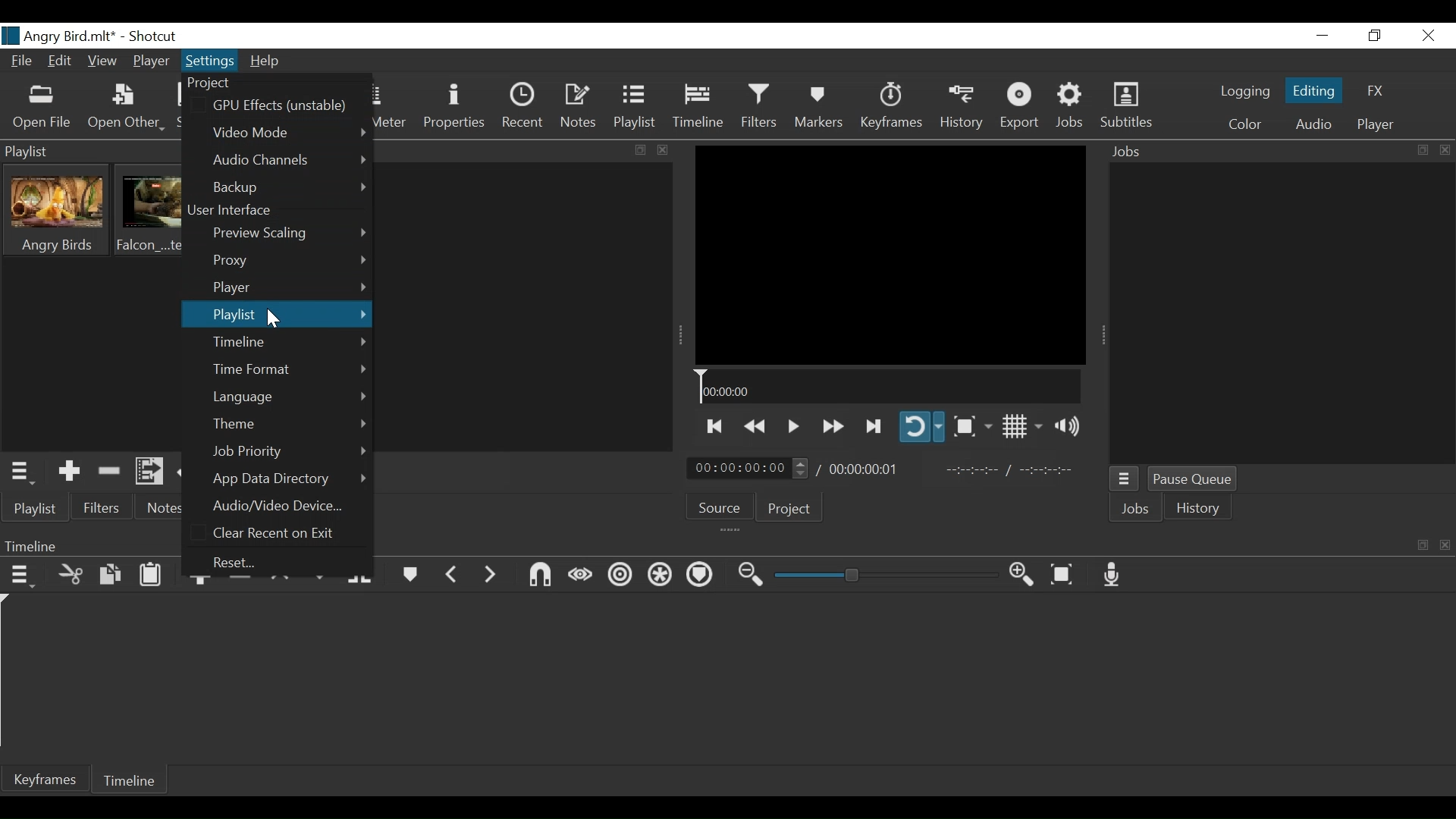  What do you see at coordinates (1425, 550) in the screenshot?
I see `maximize` at bounding box center [1425, 550].